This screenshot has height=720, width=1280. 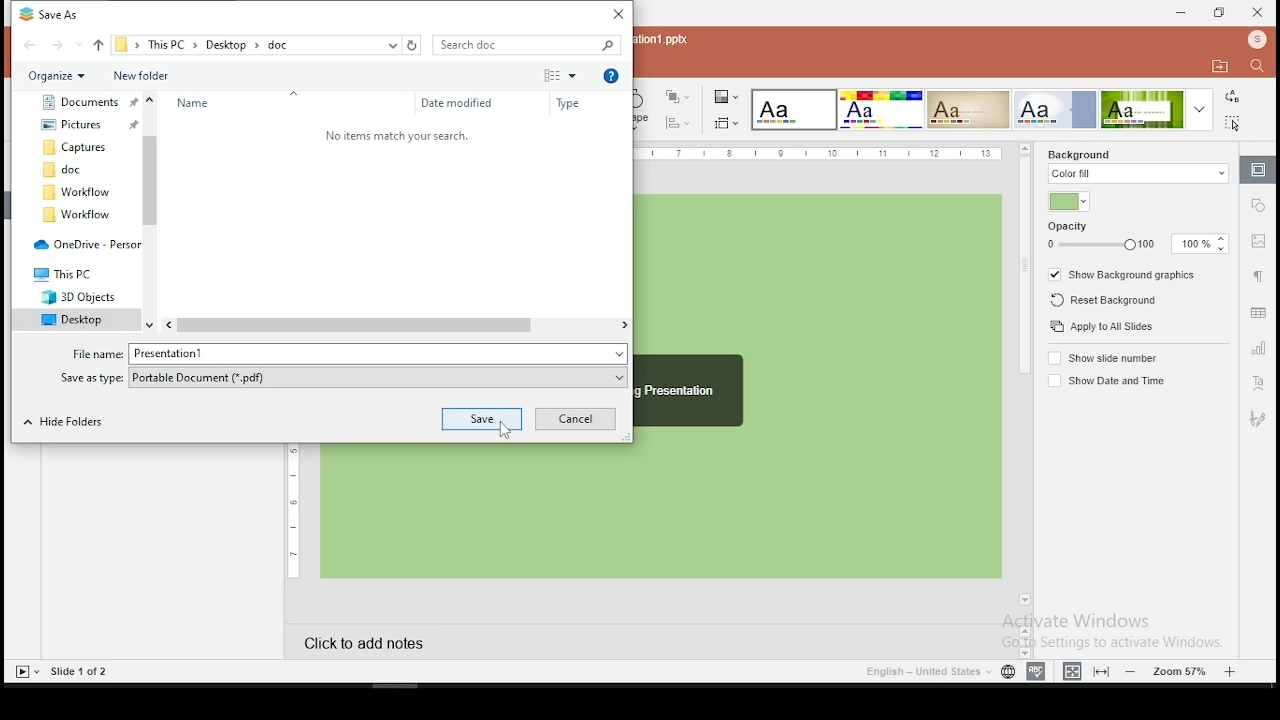 What do you see at coordinates (727, 122) in the screenshot?
I see `select slide size` at bounding box center [727, 122].